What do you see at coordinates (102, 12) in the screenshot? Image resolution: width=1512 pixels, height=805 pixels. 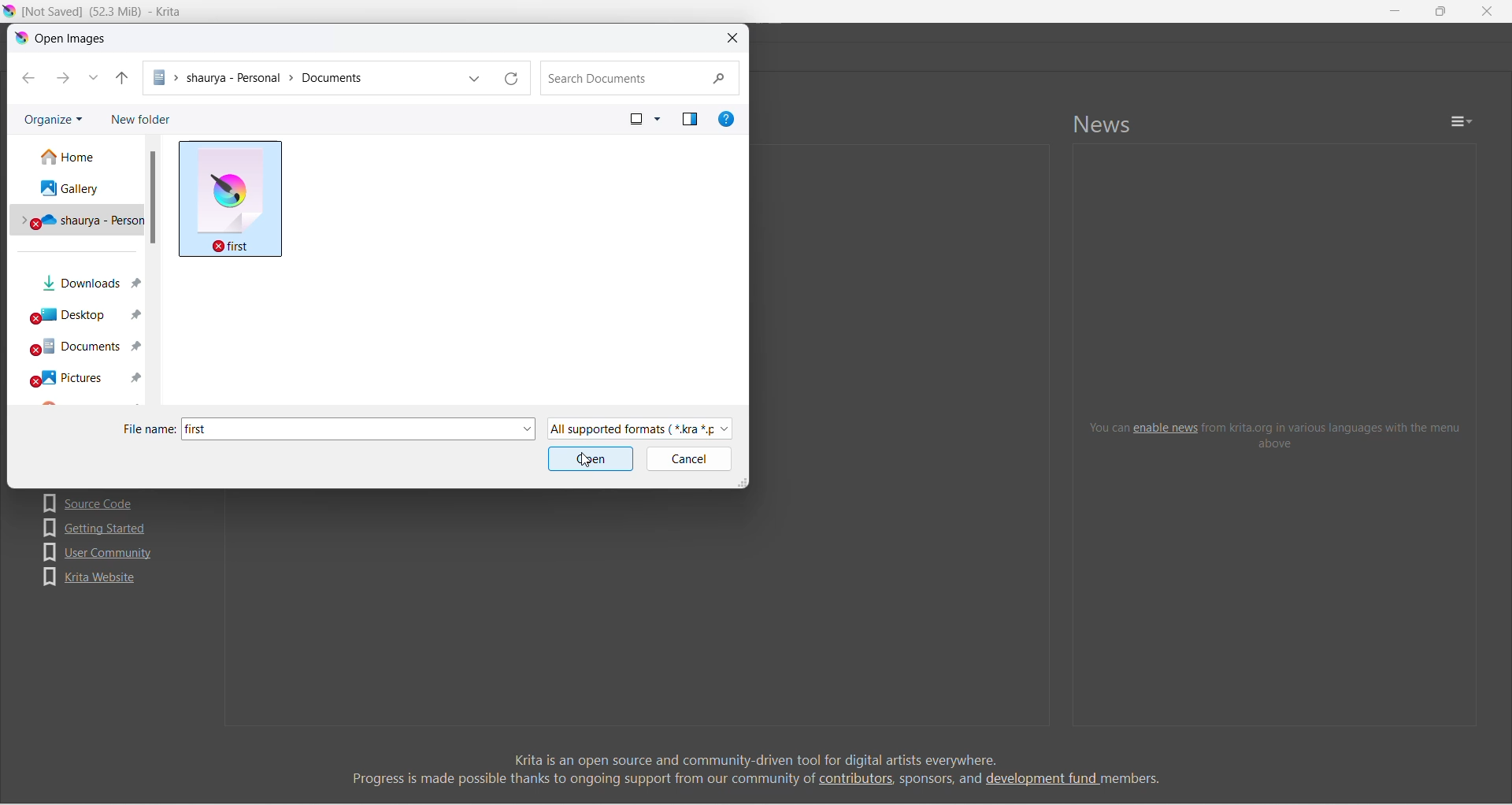 I see `Software name, file name and size` at bounding box center [102, 12].